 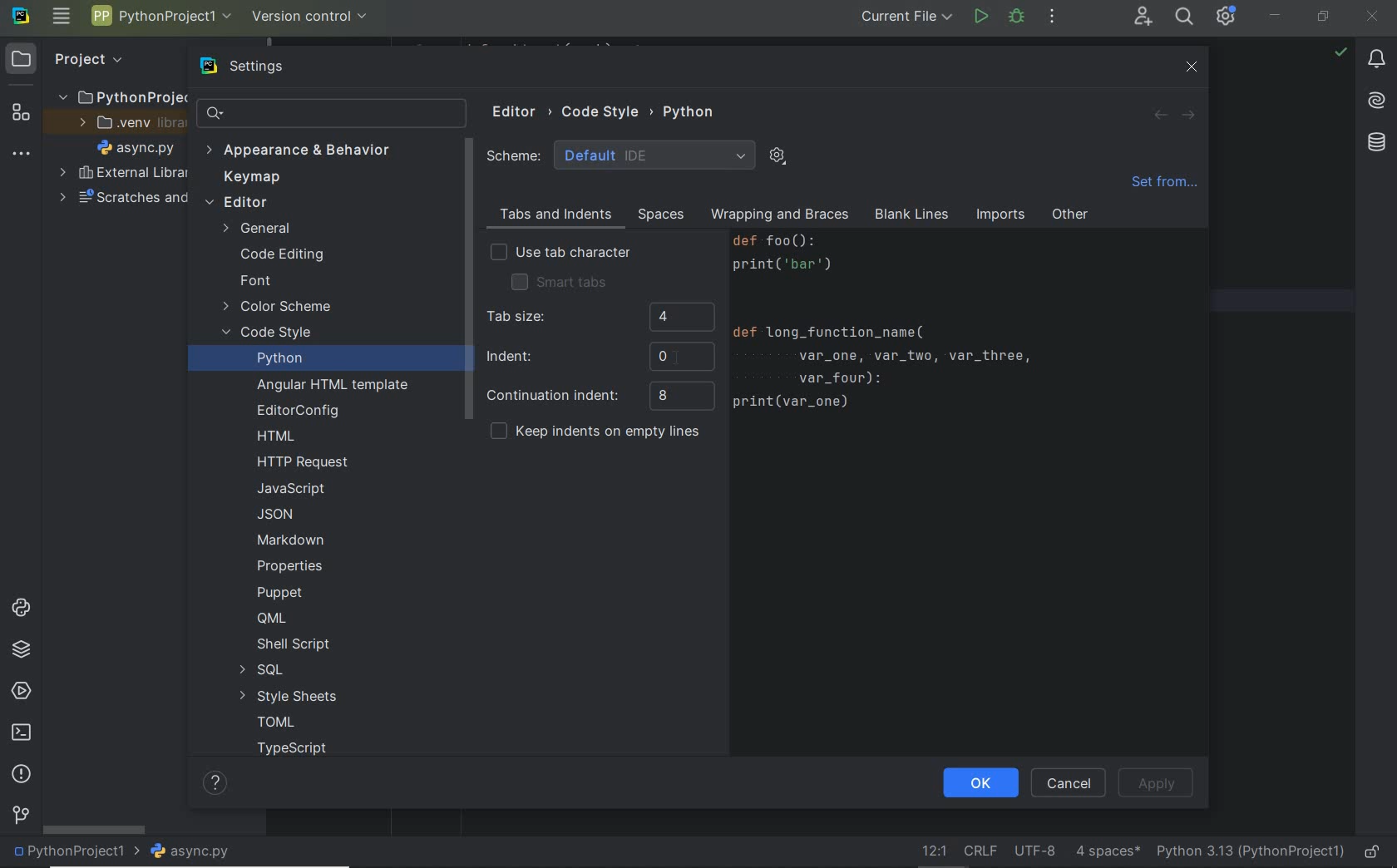 What do you see at coordinates (126, 123) in the screenshot?
I see `.veny` at bounding box center [126, 123].